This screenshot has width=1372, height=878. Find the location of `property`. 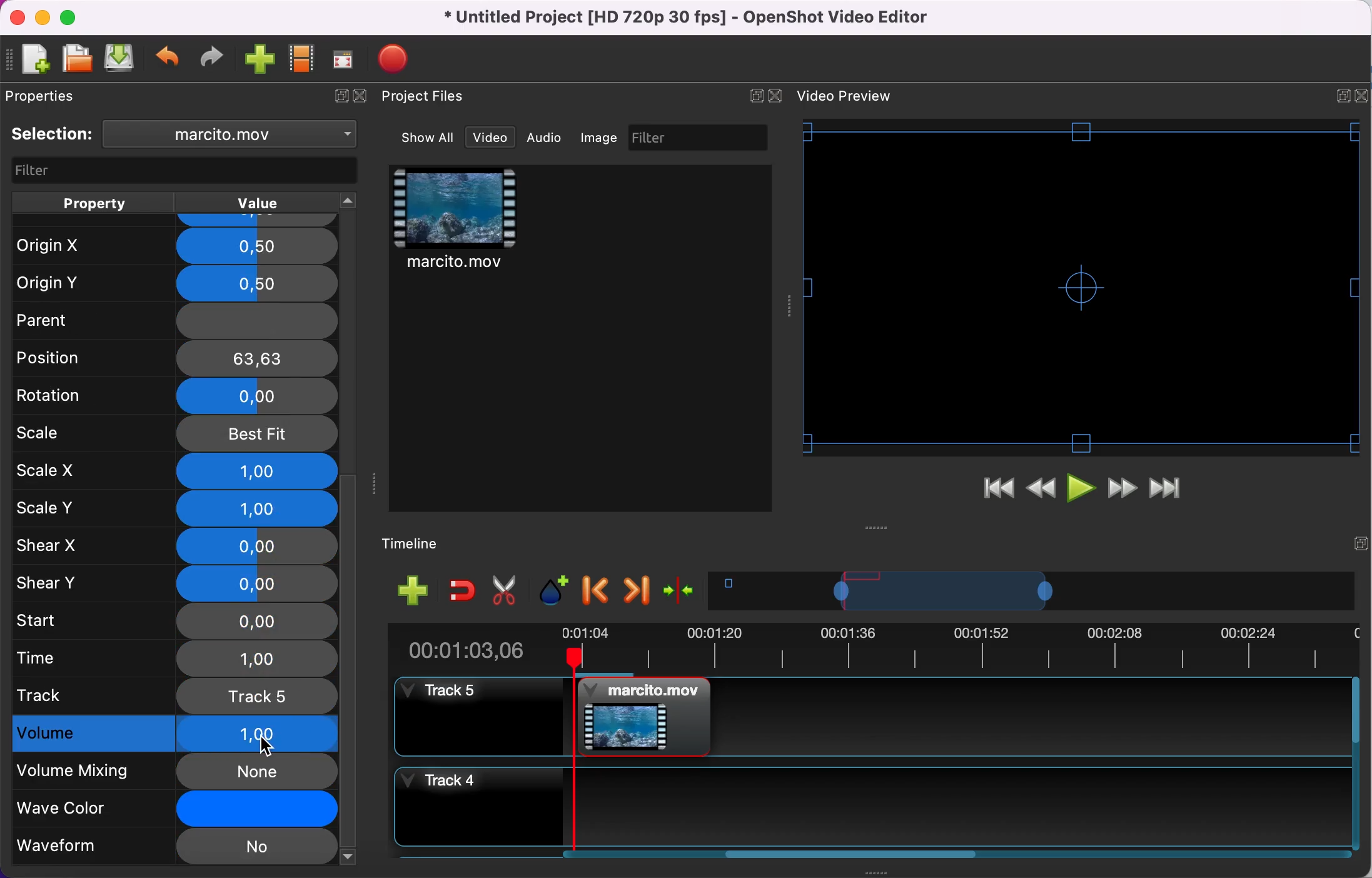

property is located at coordinates (93, 203).